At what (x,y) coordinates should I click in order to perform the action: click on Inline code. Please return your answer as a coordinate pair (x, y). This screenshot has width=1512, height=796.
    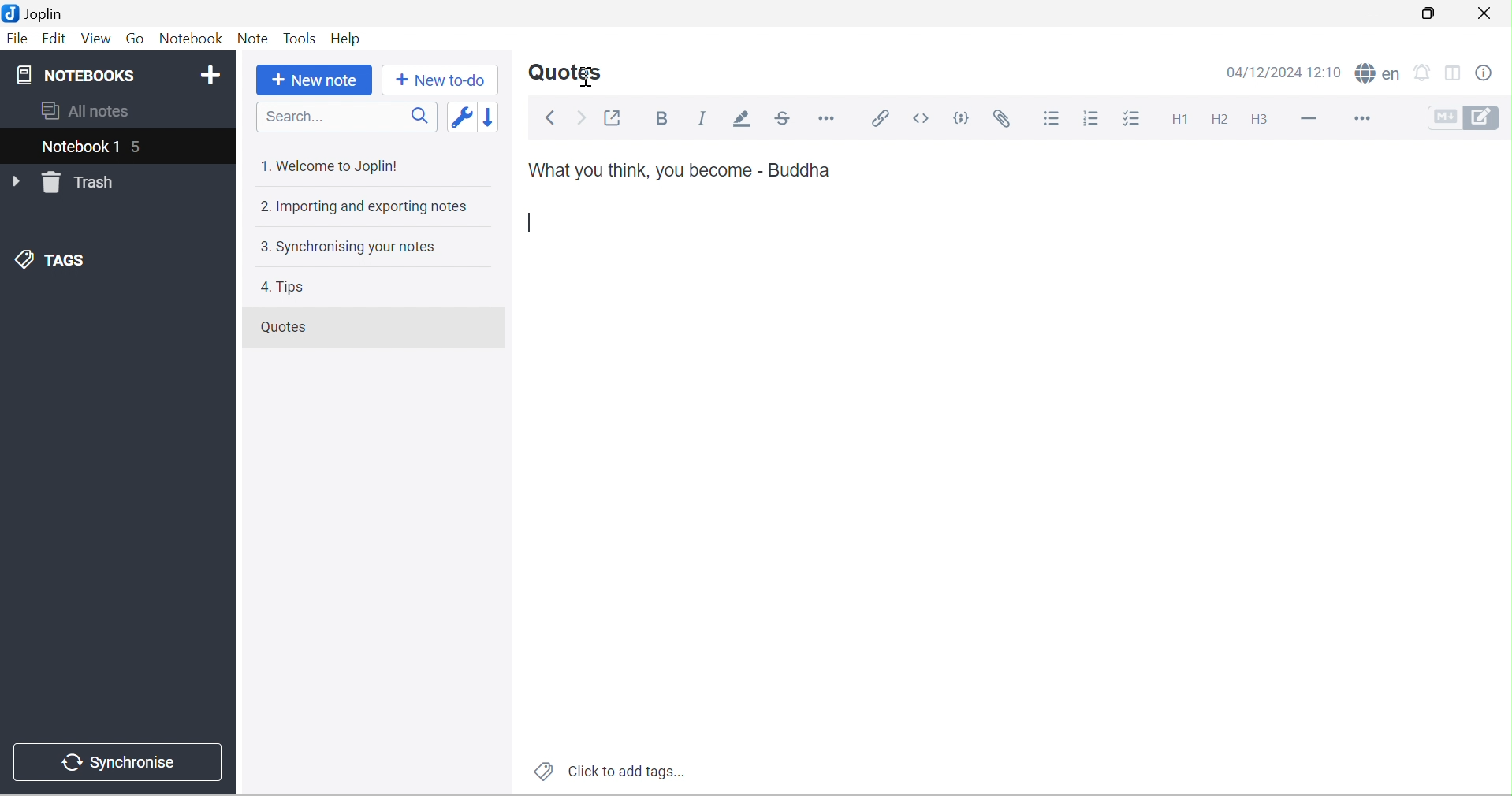
    Looking at the image, I should click on (925, 118).